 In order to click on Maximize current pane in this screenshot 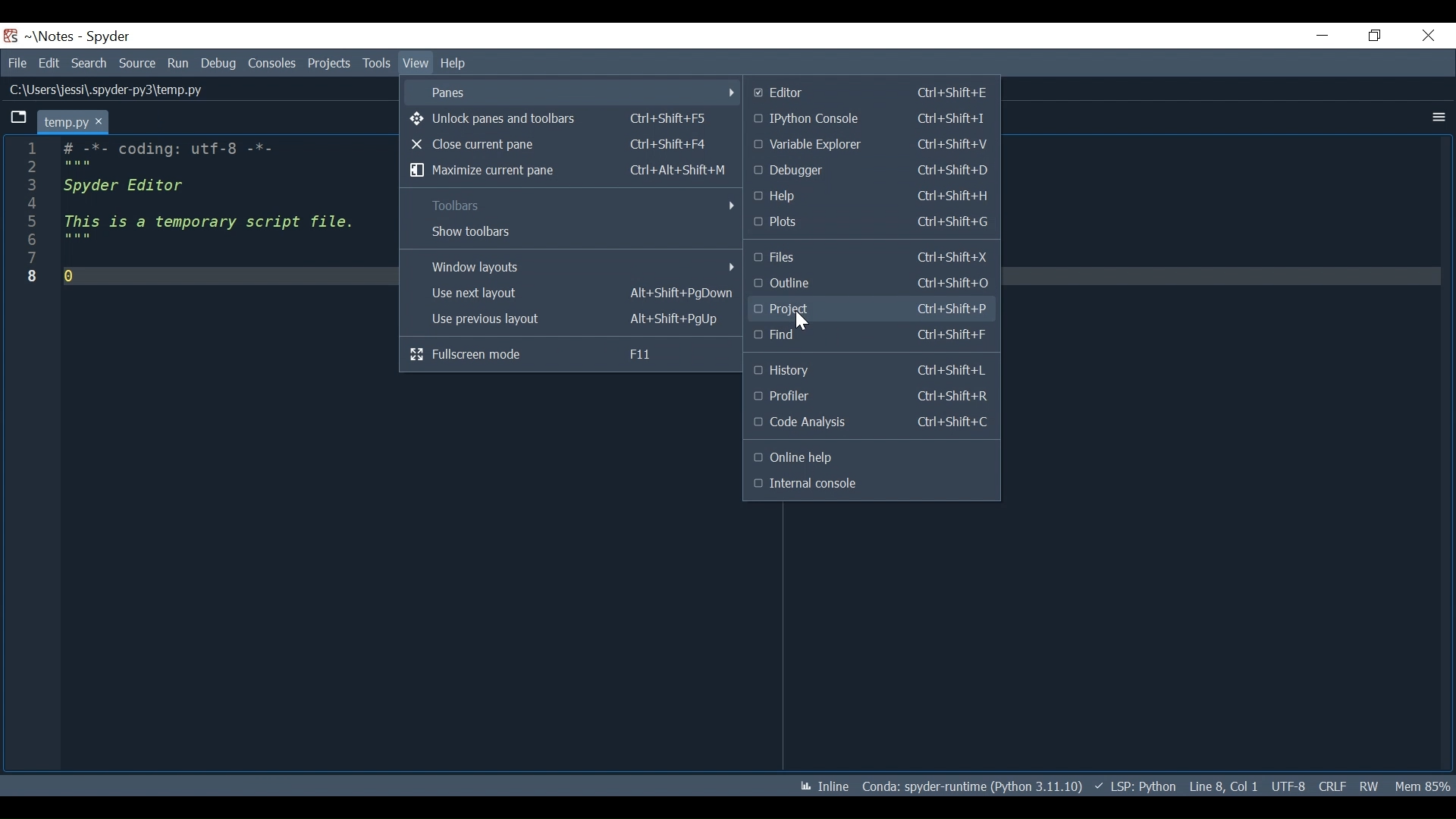, I will do `click(570, 169)`.